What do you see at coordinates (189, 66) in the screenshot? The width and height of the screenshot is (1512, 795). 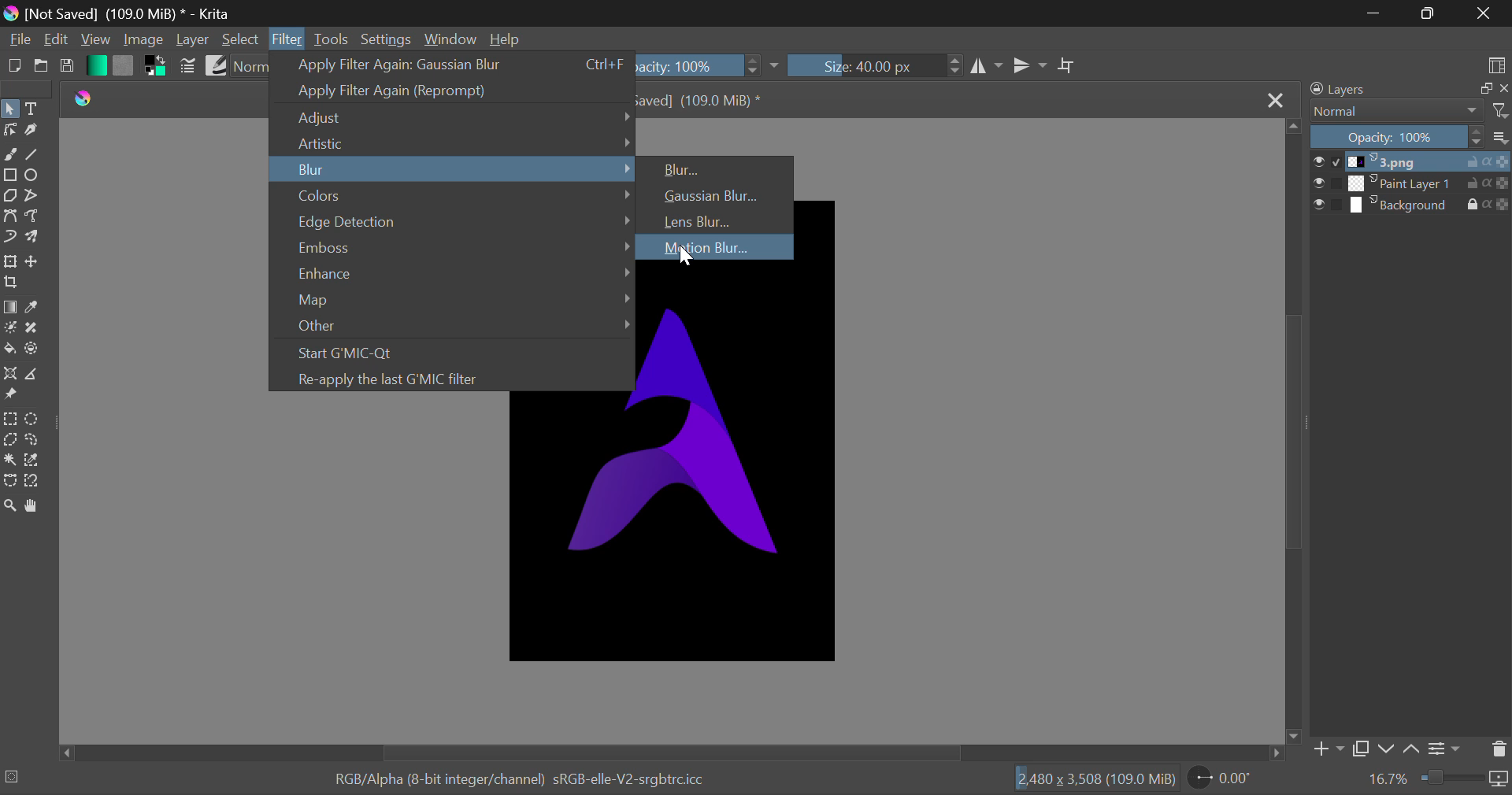 I see `Brush Settings` at bounding box center [189, 66].